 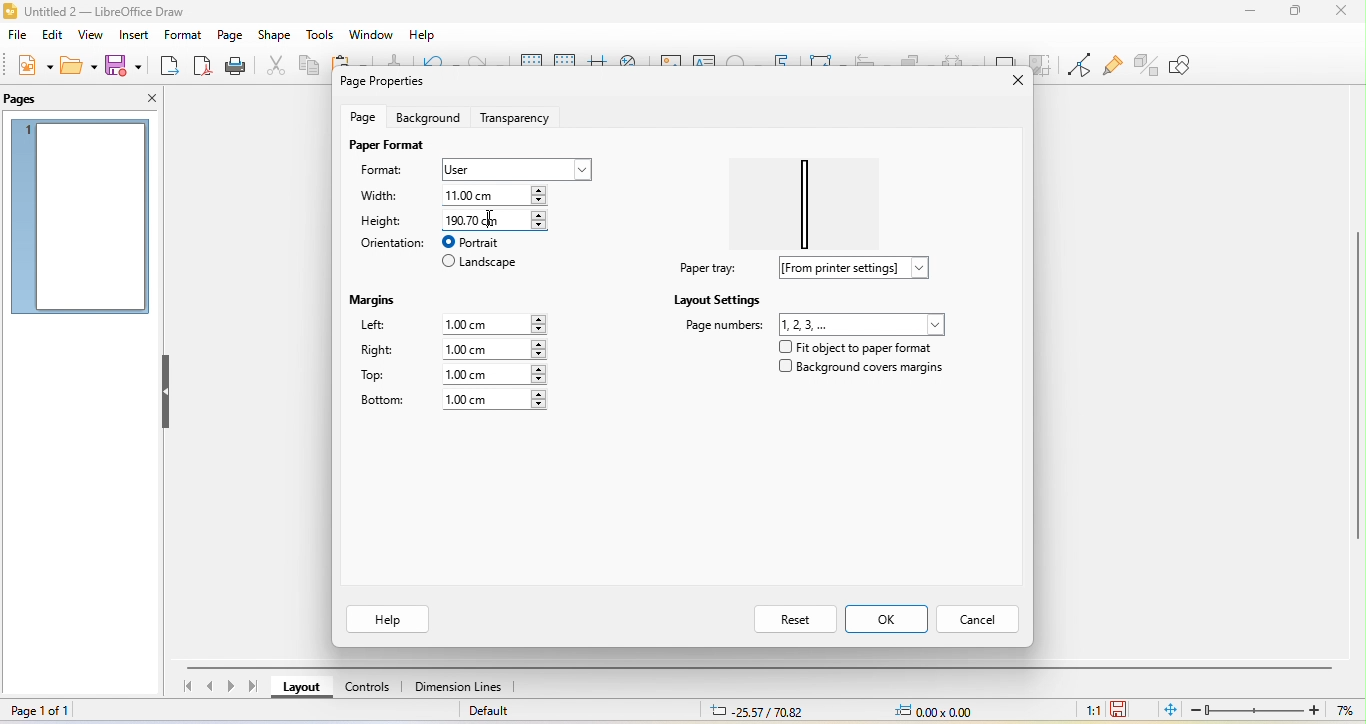 What do you see at coordinates (500, 194) in the screenshot?
I see `110.00 cm` at bounding box center [500, 194].